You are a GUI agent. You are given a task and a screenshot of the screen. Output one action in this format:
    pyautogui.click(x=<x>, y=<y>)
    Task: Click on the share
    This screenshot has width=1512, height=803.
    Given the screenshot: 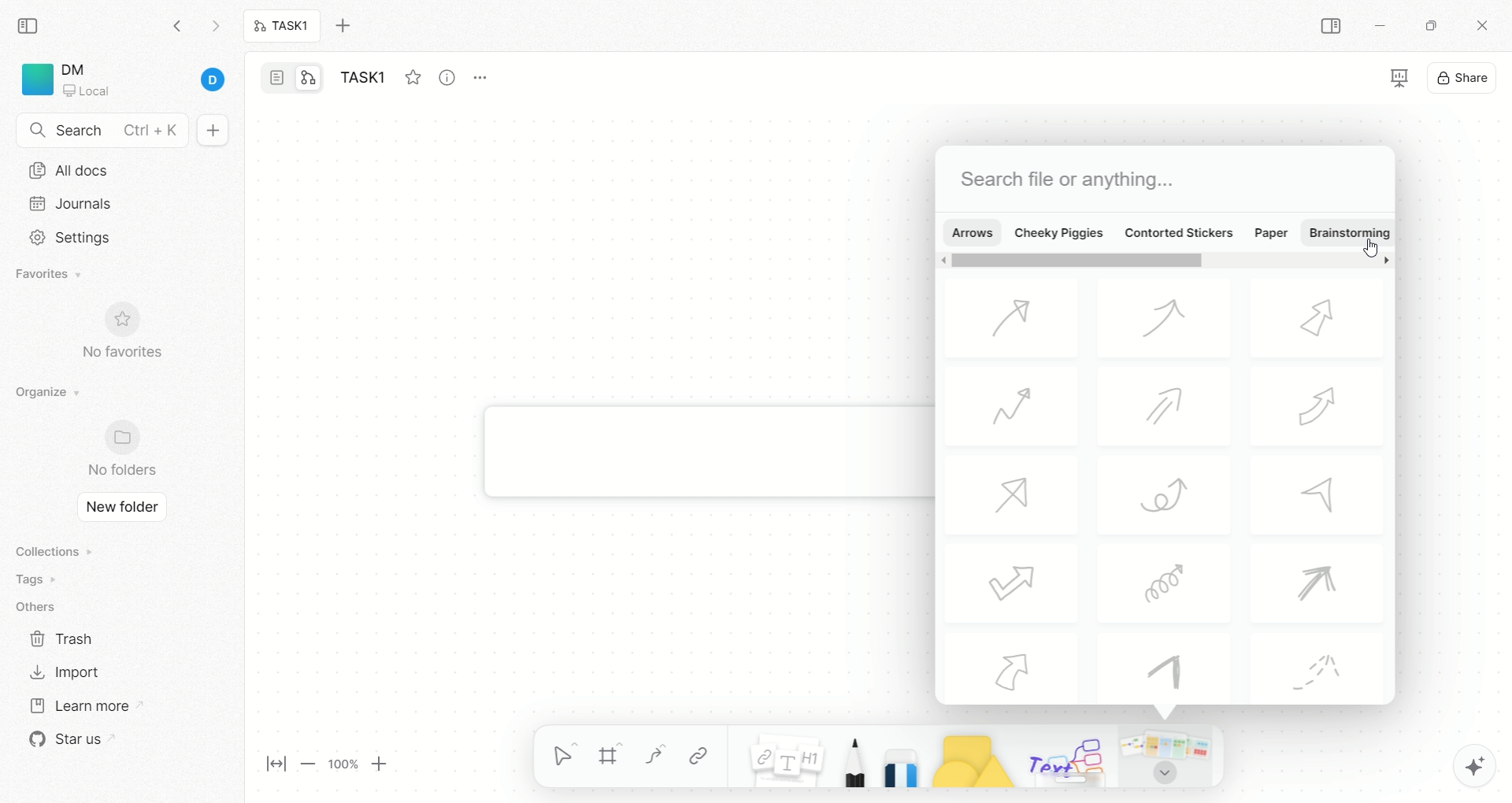 What is the action you would take?
    pyautogui.click(x=1464, y=76)
    